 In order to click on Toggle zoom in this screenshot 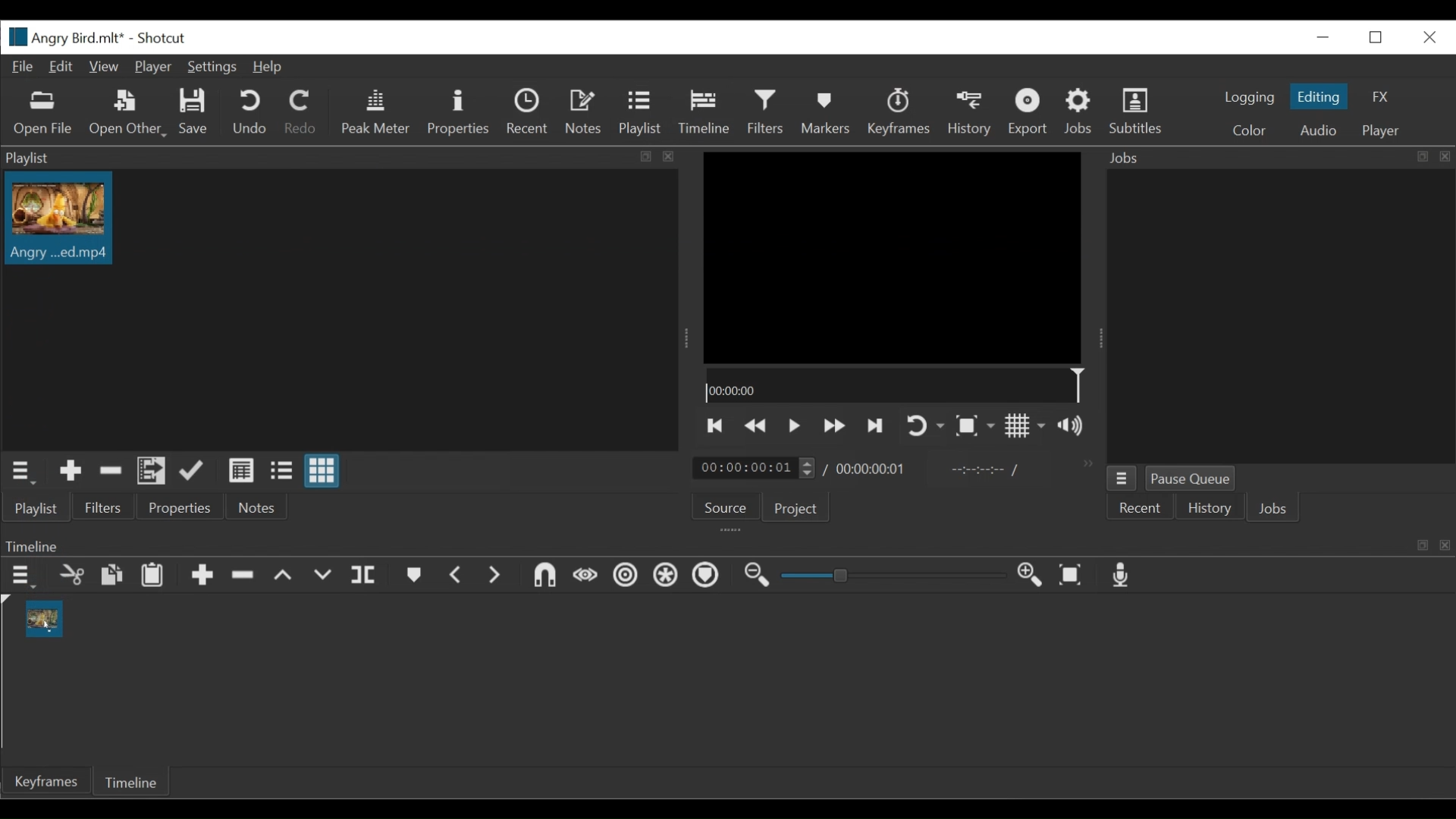, I will do `click(974, 425)`.